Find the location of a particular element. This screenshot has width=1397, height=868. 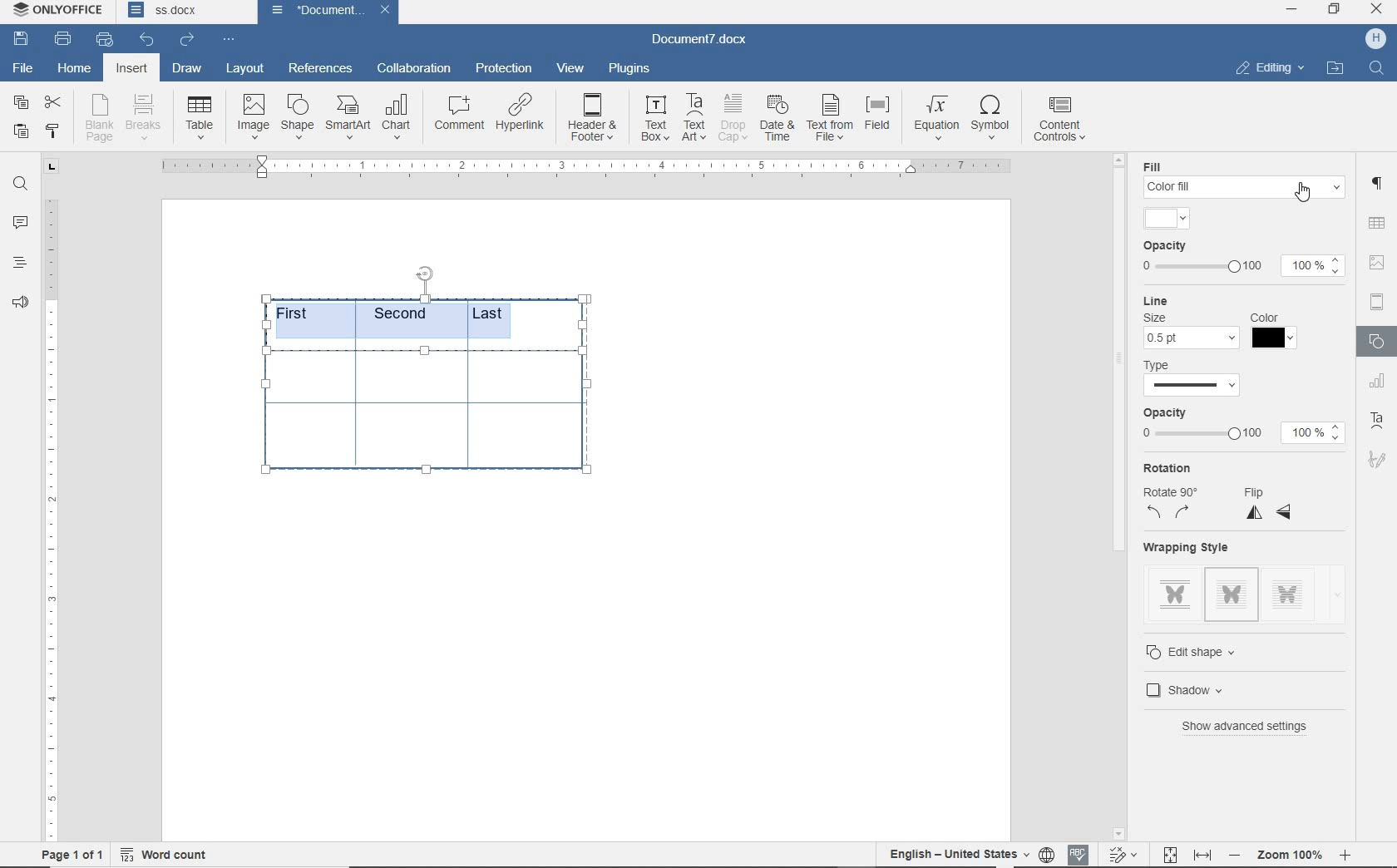

drop cap is located at coordinates (733, 118).